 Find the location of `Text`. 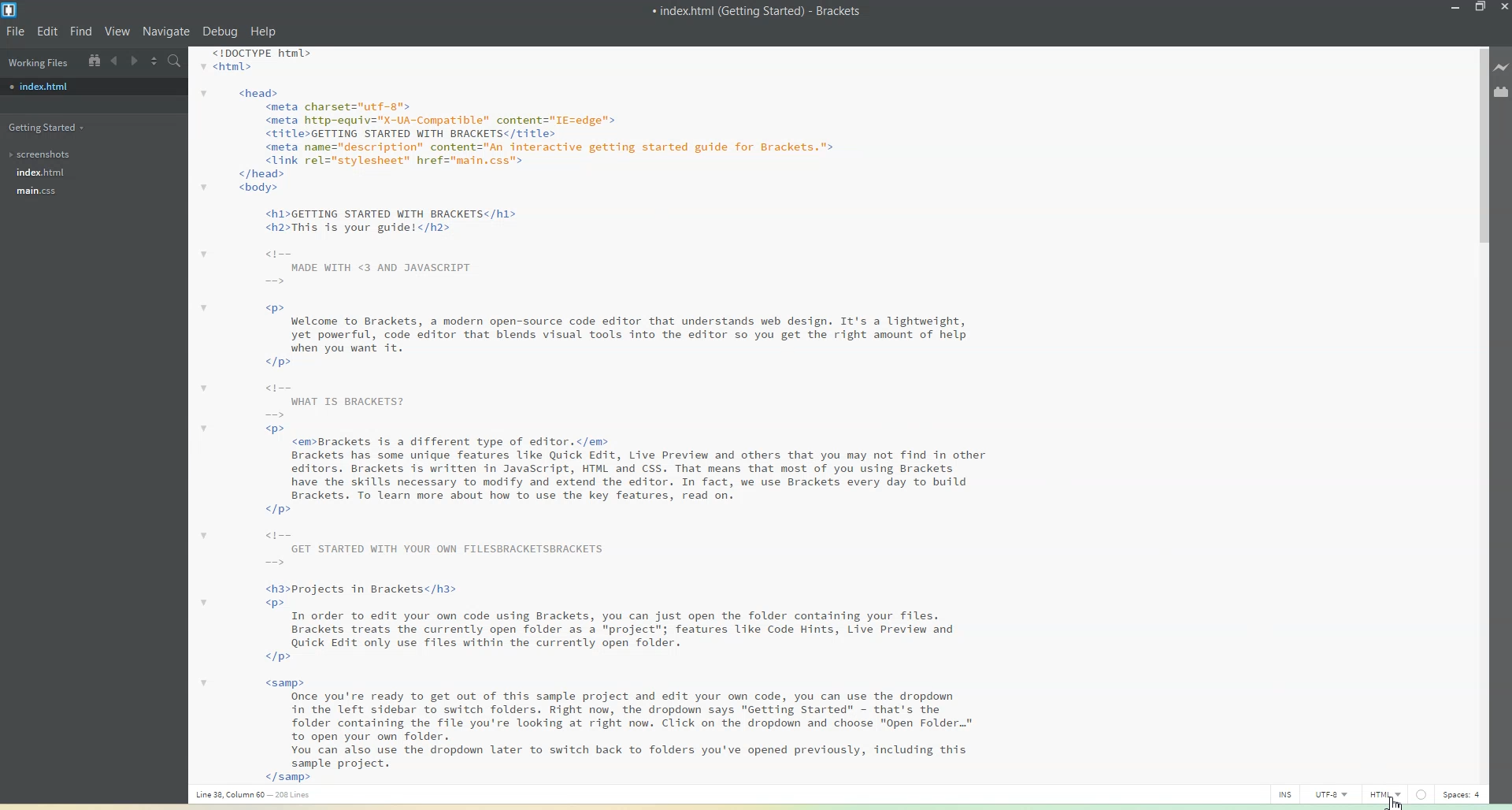

Text is located at coordinates (758, 10).